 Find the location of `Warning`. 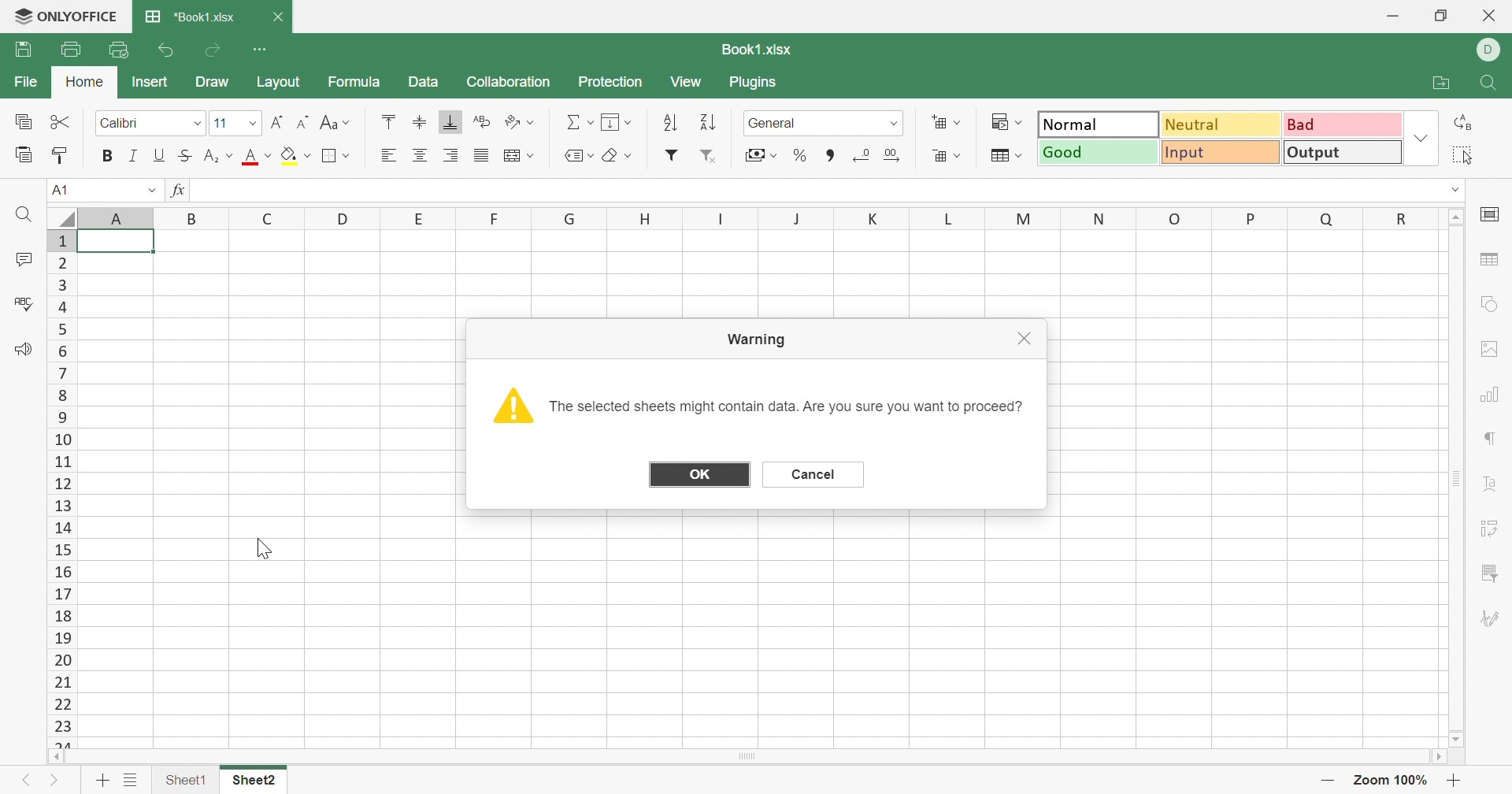

Warning is located at coordinates (756, 341).